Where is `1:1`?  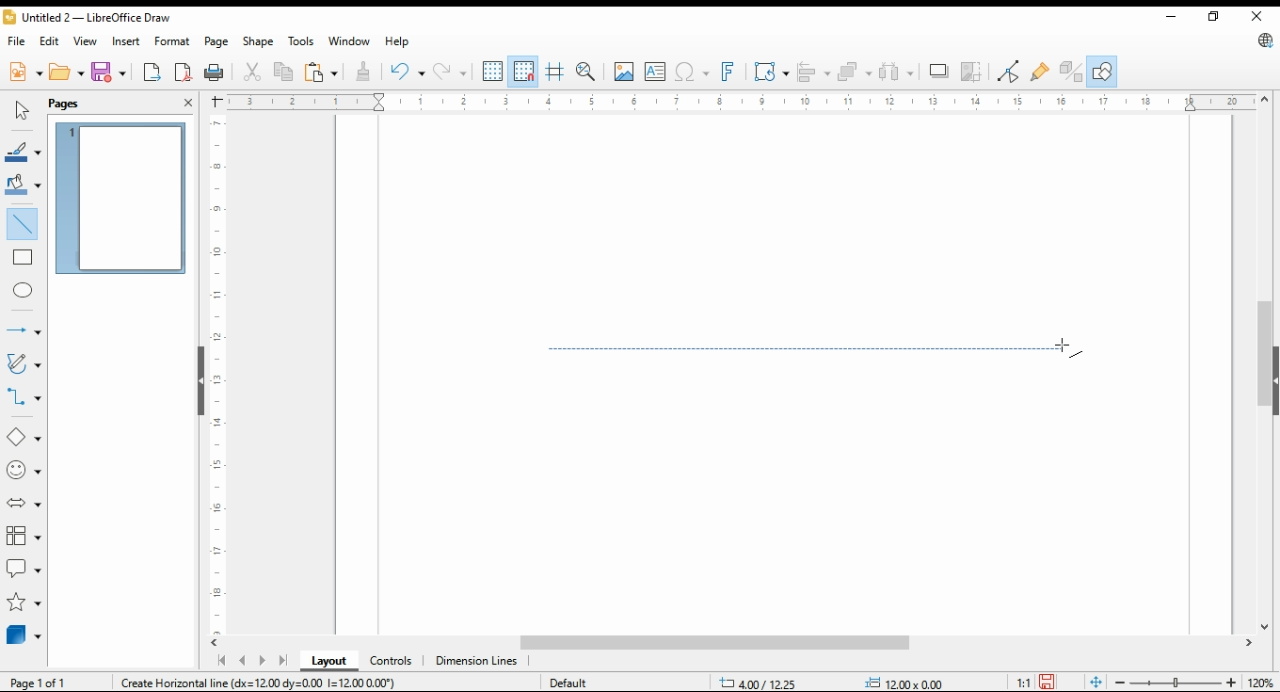
1:1 is located at coordinates (1023, 681).